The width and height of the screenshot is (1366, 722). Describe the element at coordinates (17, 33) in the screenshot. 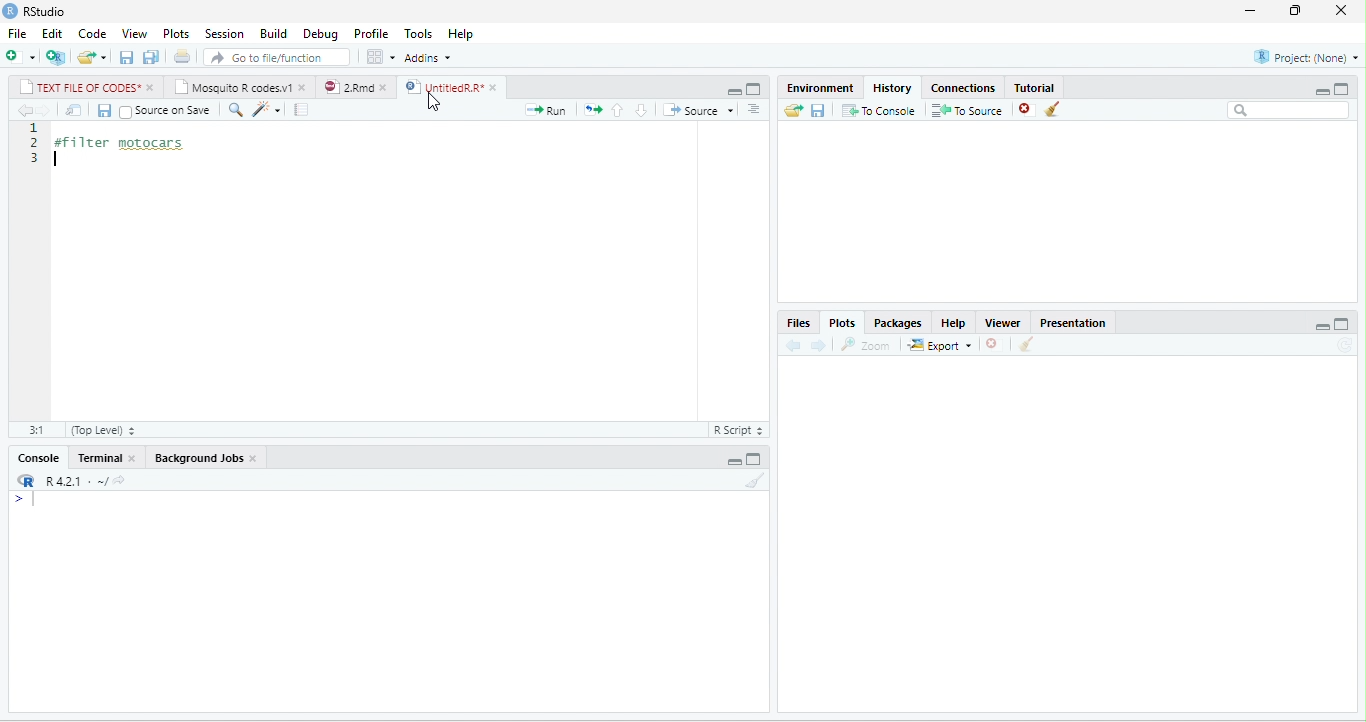

I see `File` at that location.